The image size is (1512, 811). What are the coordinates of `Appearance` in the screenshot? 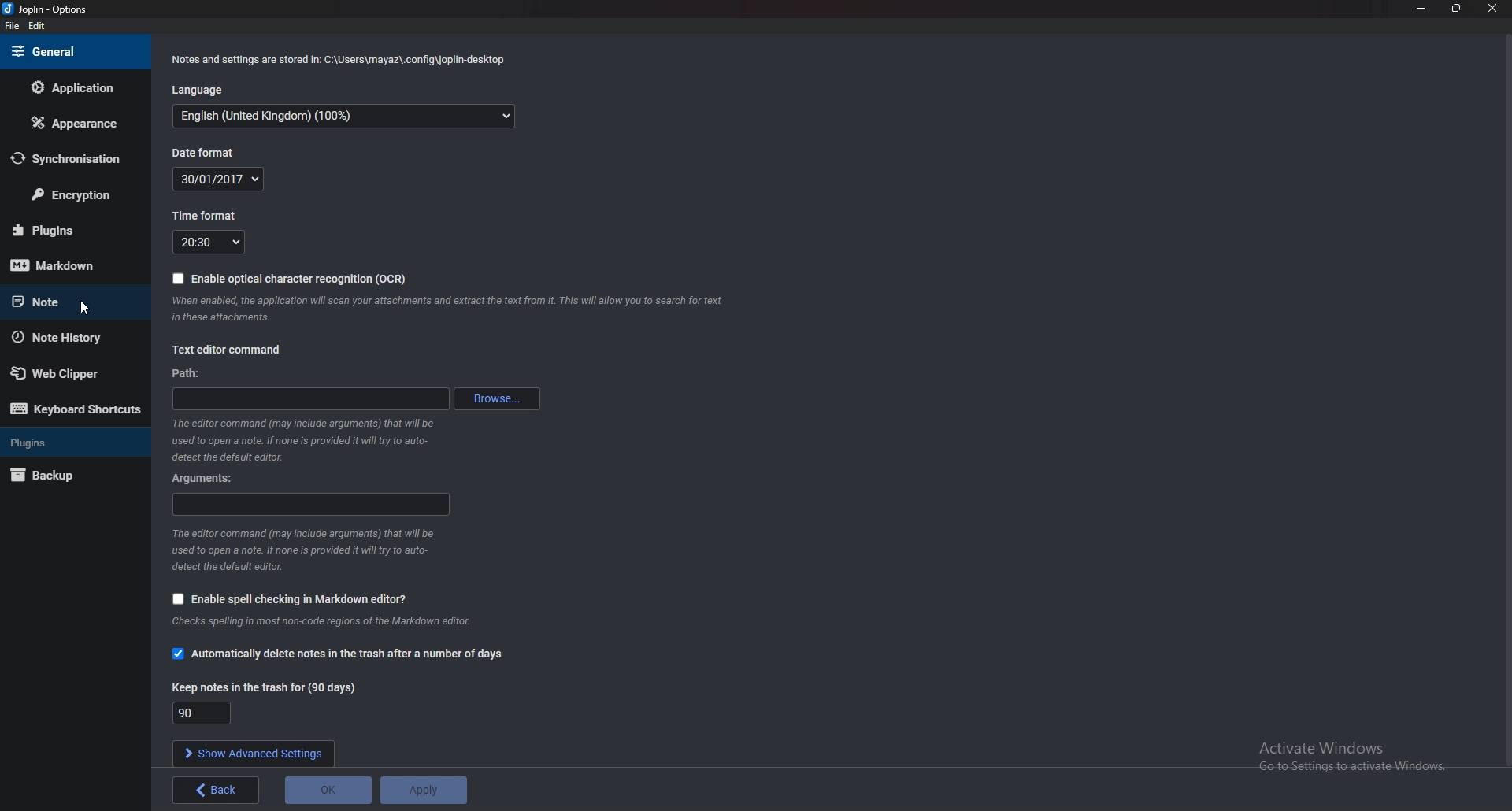 It's located at (70, 123).